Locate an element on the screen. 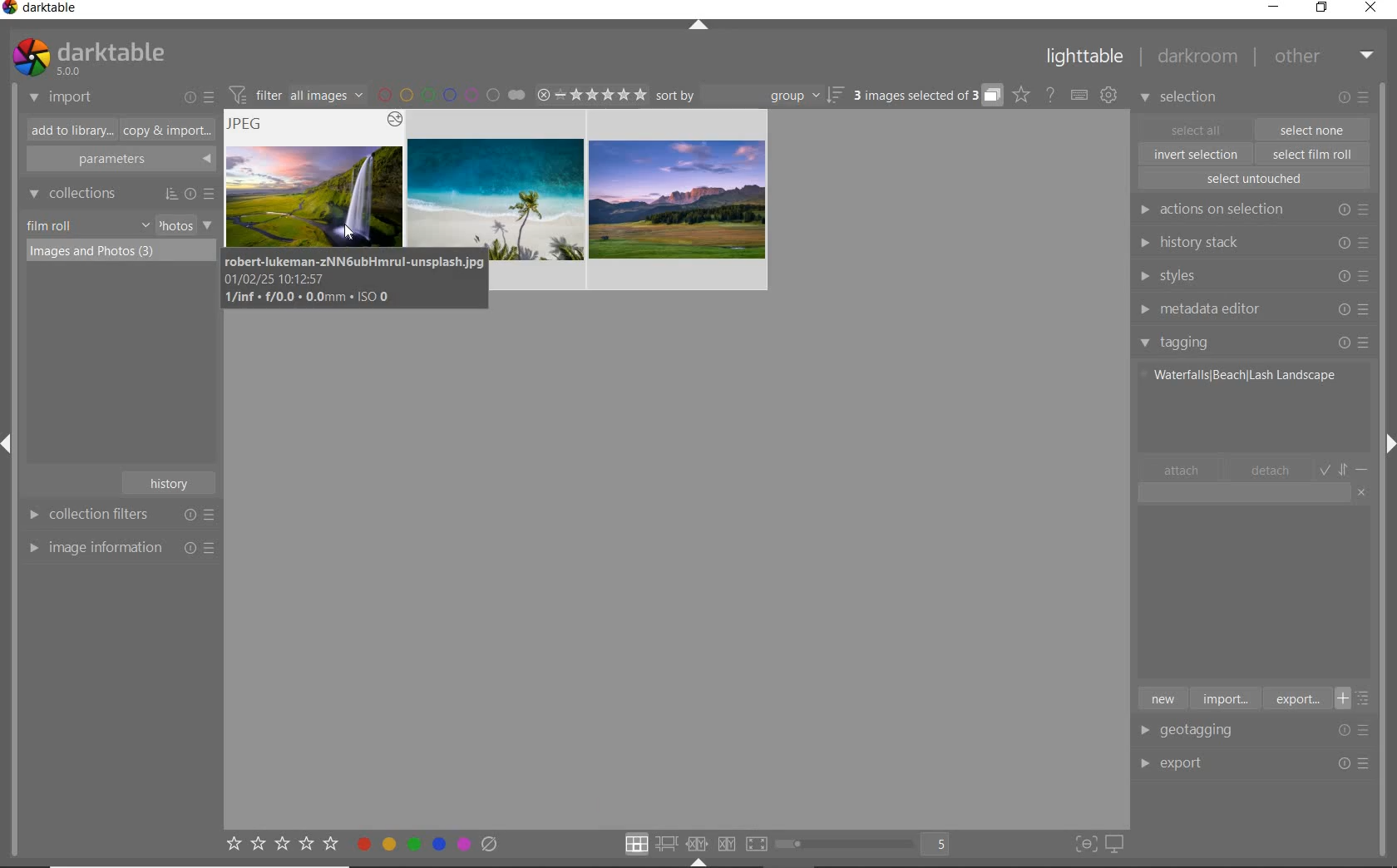  filter images based on their module order is located at coordinates (294, 93).